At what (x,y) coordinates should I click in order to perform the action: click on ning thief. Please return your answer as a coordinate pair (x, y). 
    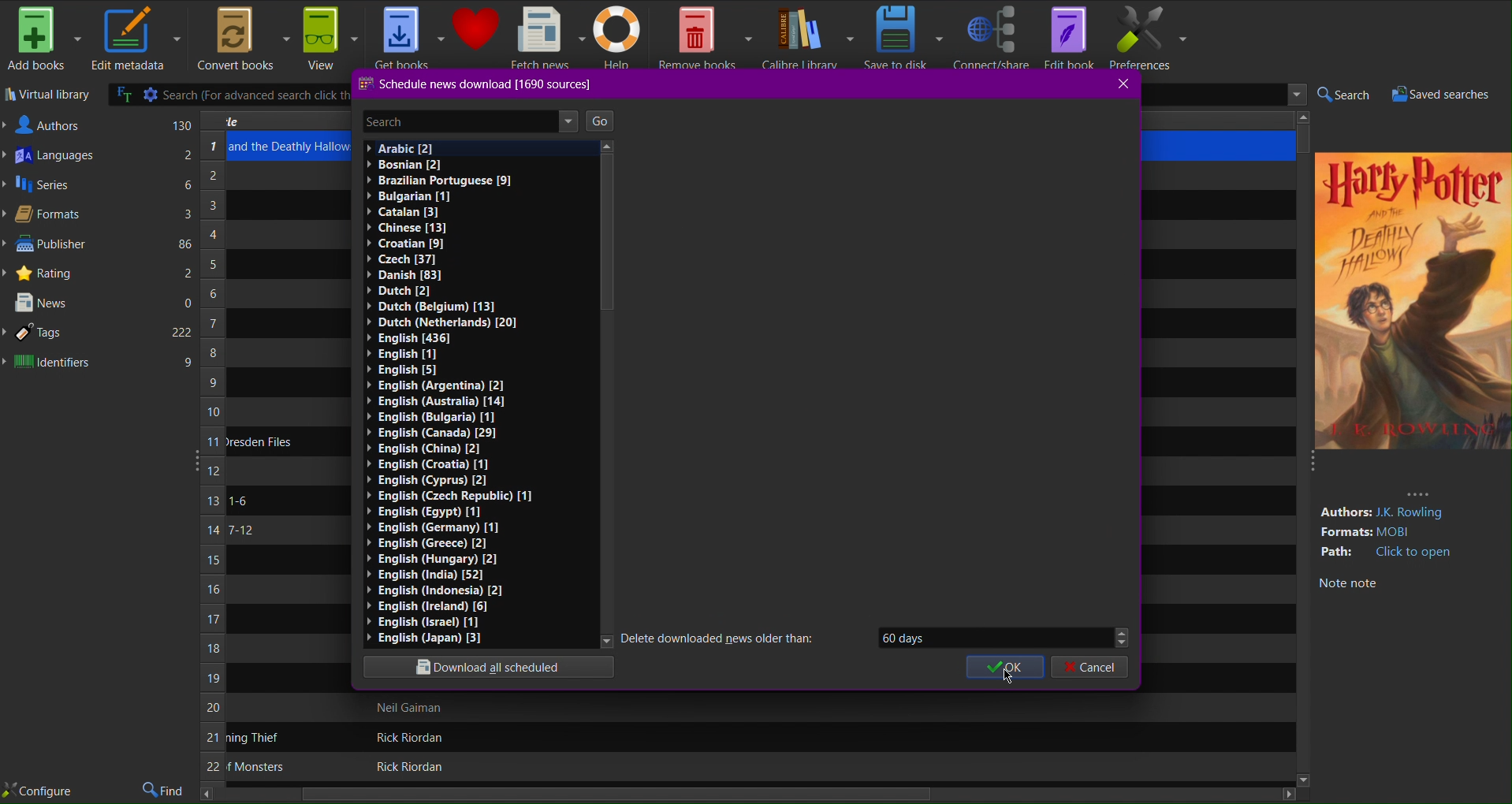
    Looking at the image, I should click on (255, 738).